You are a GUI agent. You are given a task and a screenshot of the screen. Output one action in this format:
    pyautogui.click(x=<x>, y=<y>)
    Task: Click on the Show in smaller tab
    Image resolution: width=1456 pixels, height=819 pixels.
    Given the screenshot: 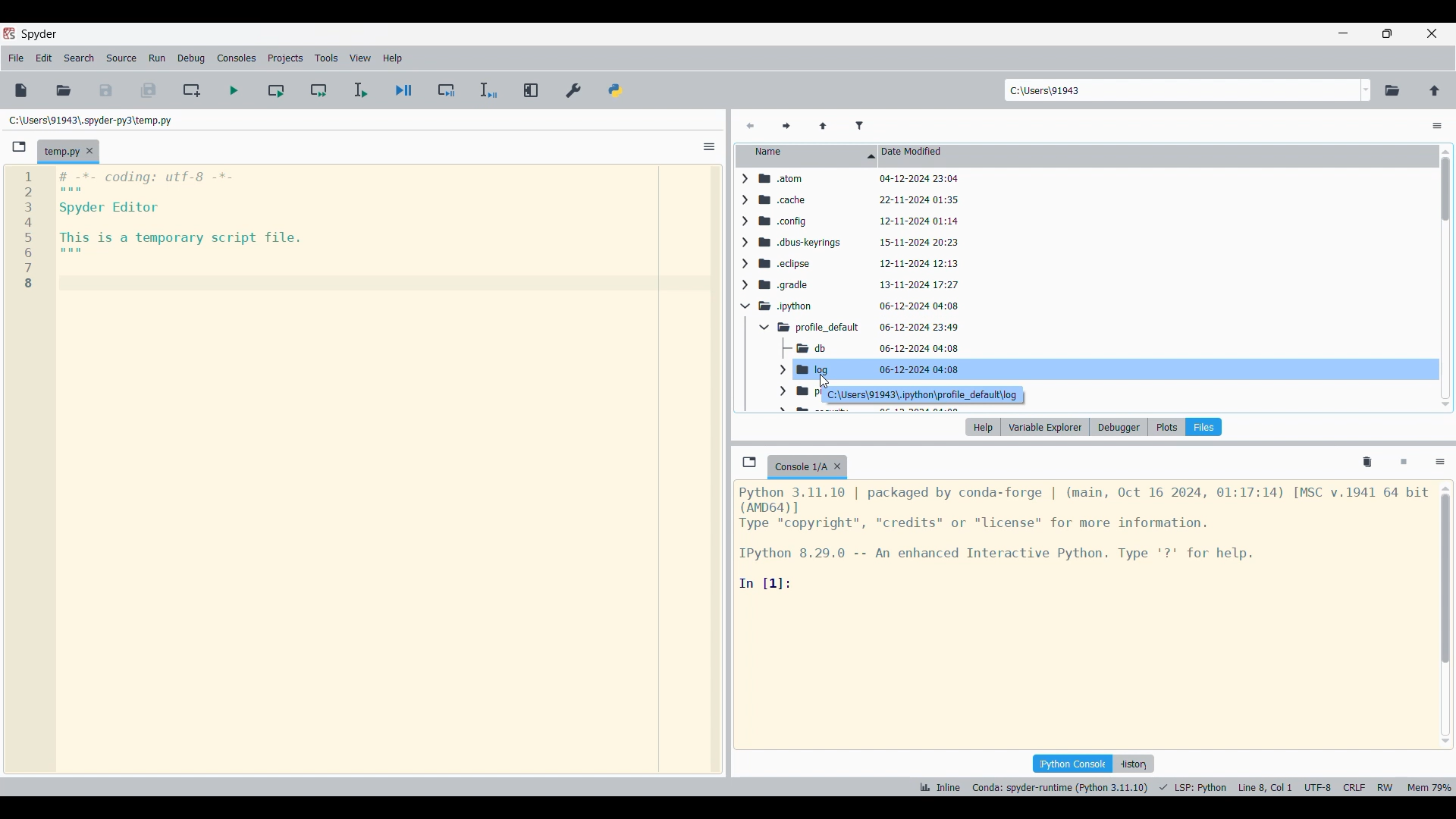 What is the action you would take?
    pyautogui.click(x=1387, y=33)
    